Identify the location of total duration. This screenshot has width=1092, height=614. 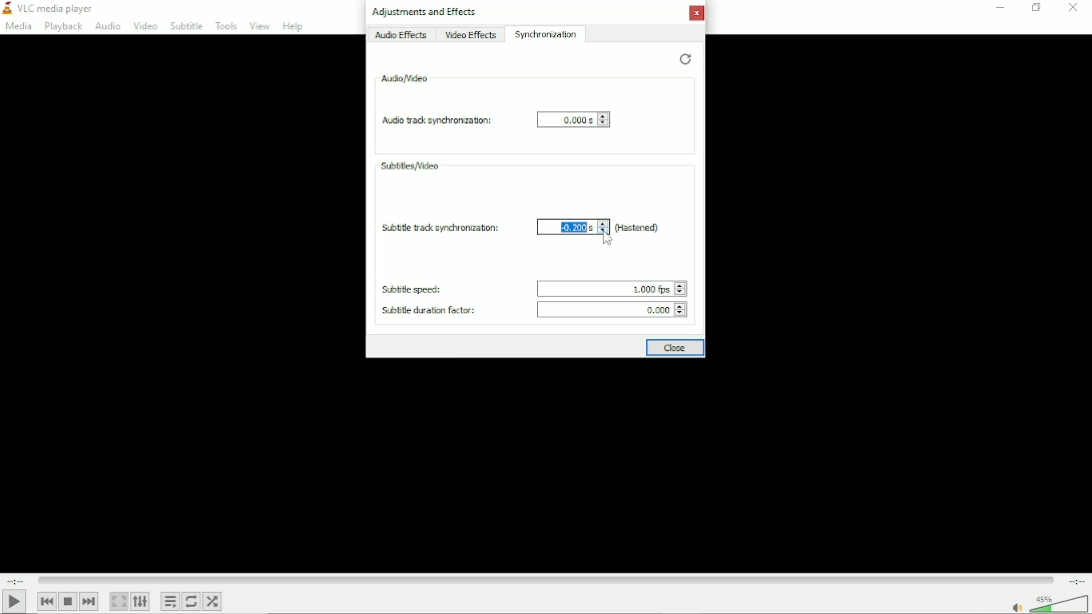
(1074, 581).